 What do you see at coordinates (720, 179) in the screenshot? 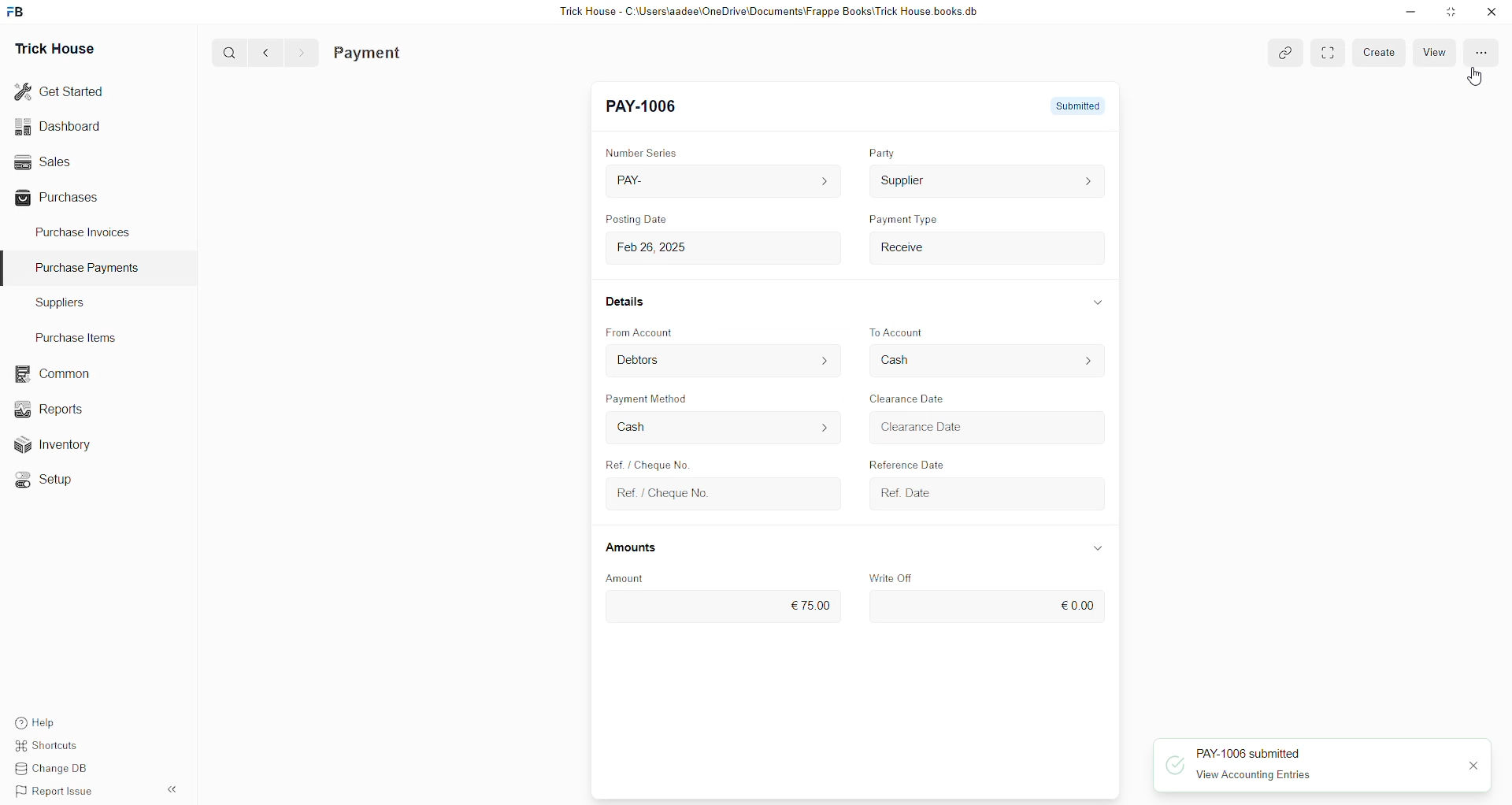
I see `PAY-` at bounding box center [720, 179].